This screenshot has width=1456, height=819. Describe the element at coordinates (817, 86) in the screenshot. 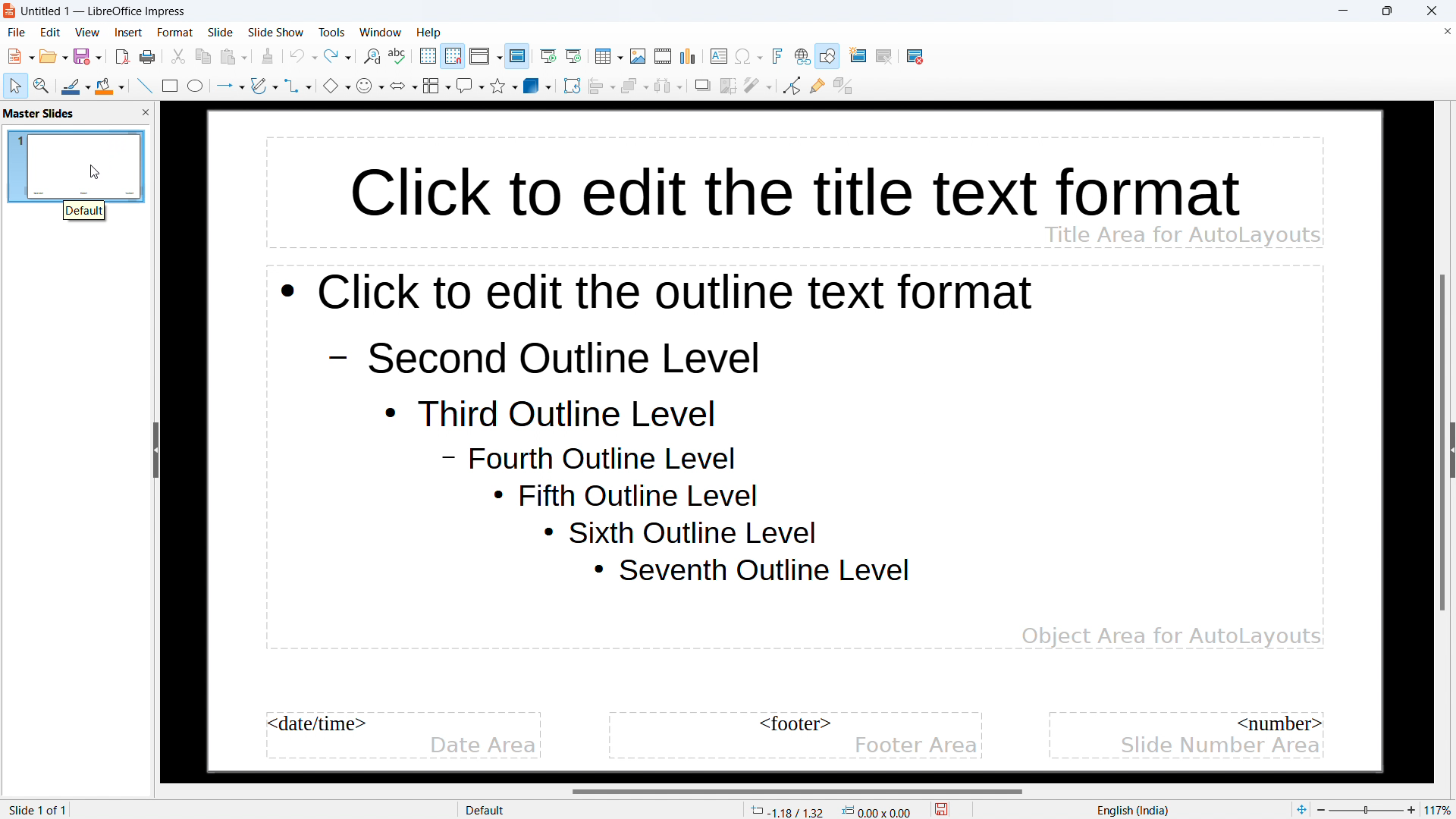

I see `show gluepoint functions` at that location.